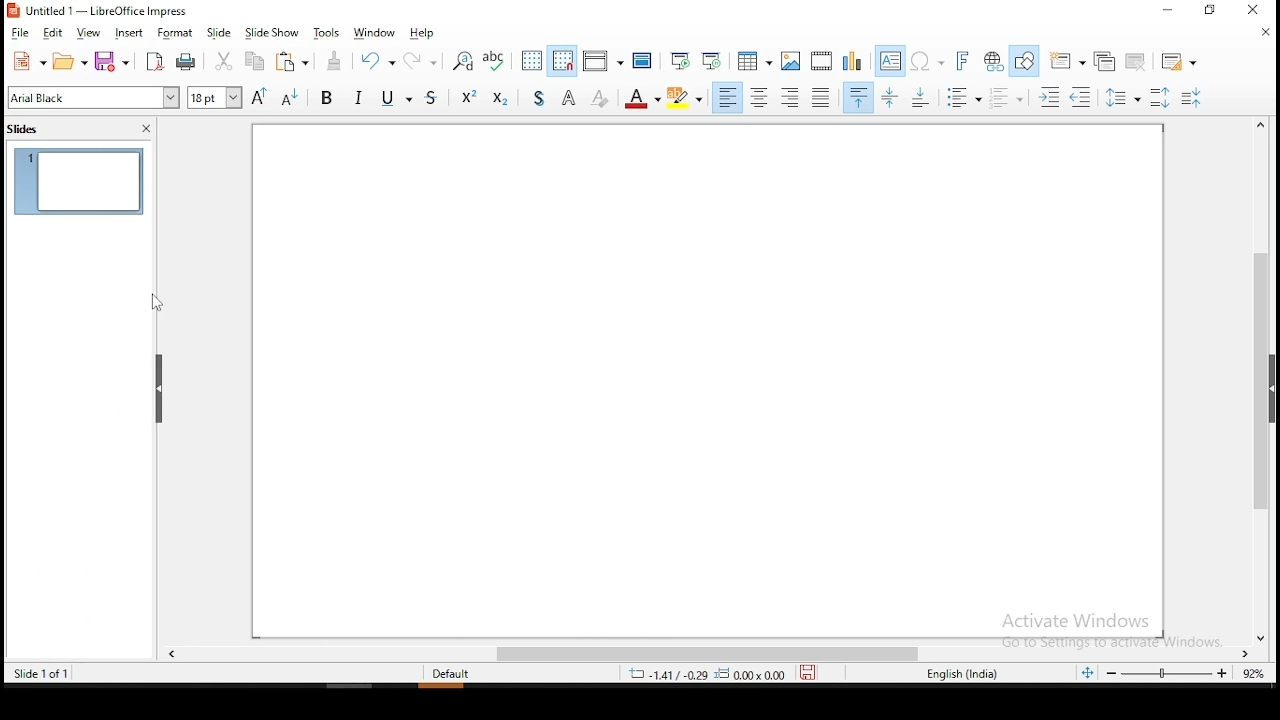 Image resolution: width=1280 pixels, height=720 pixels. I want to click on zoom level, so click(1254, 674).